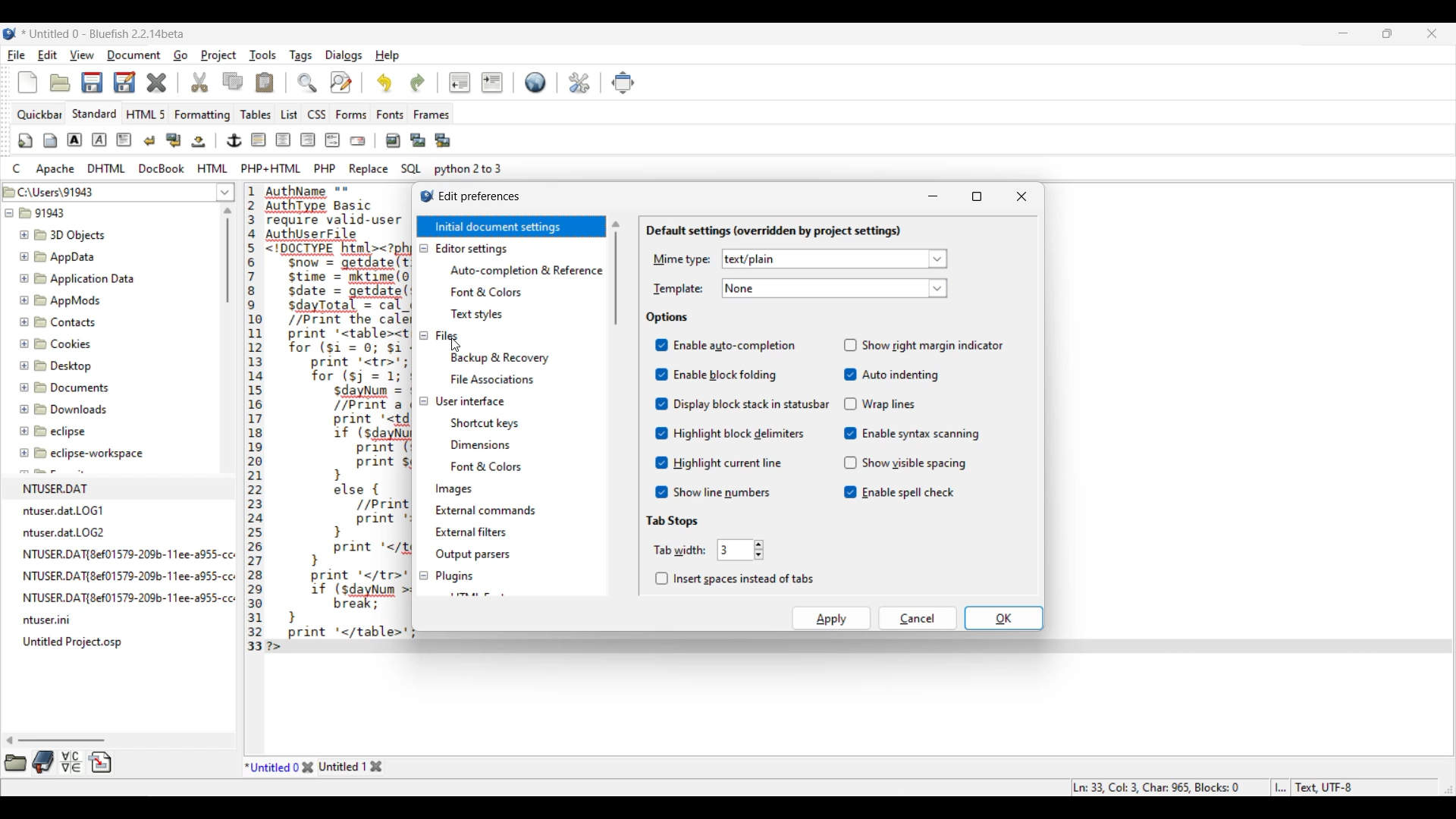 The height and width of the screenshot is (819, 1456). I want to click on Section title, so click(667, 318).